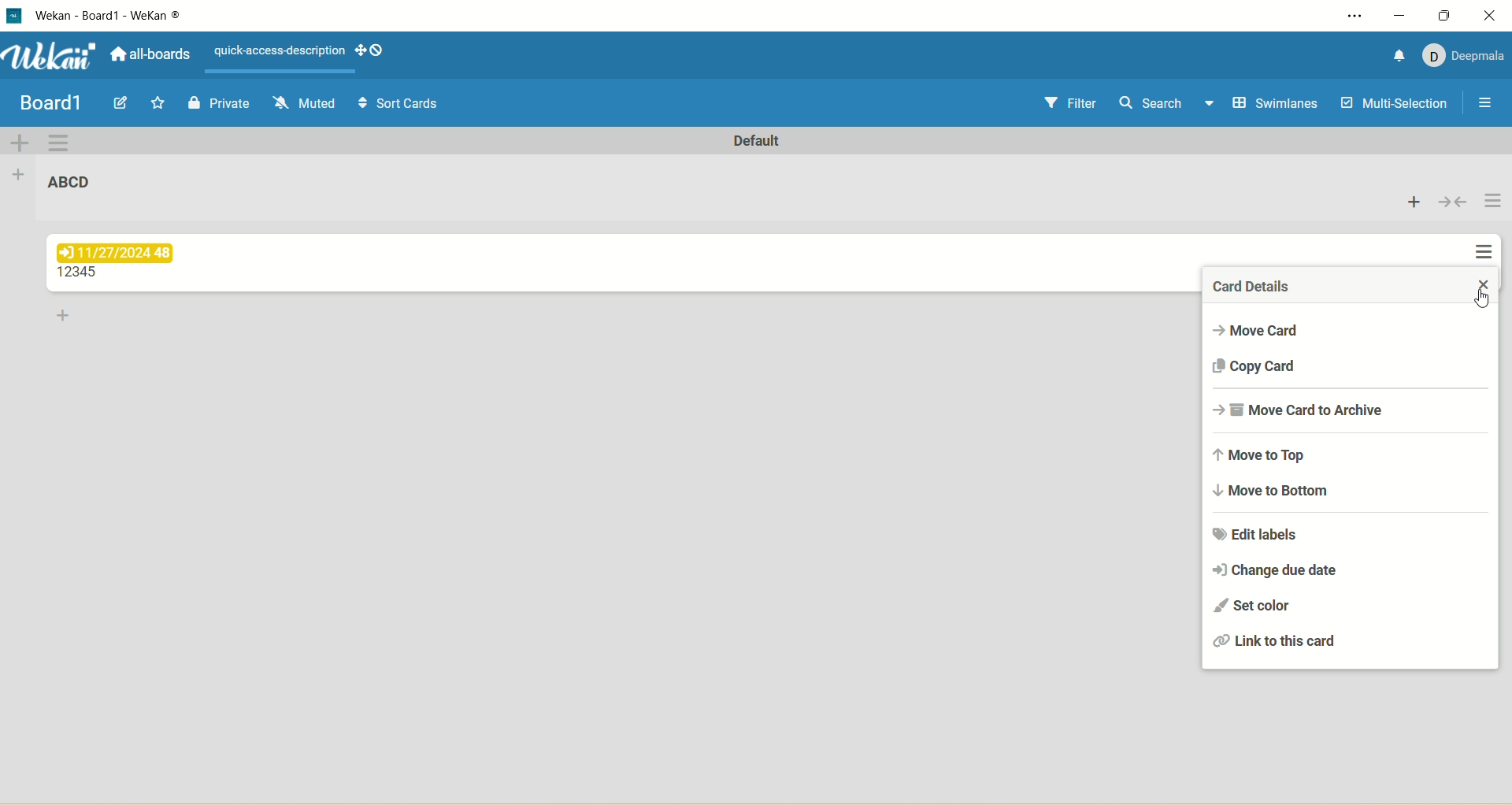  I want to click on move card, so click(1266, 330).